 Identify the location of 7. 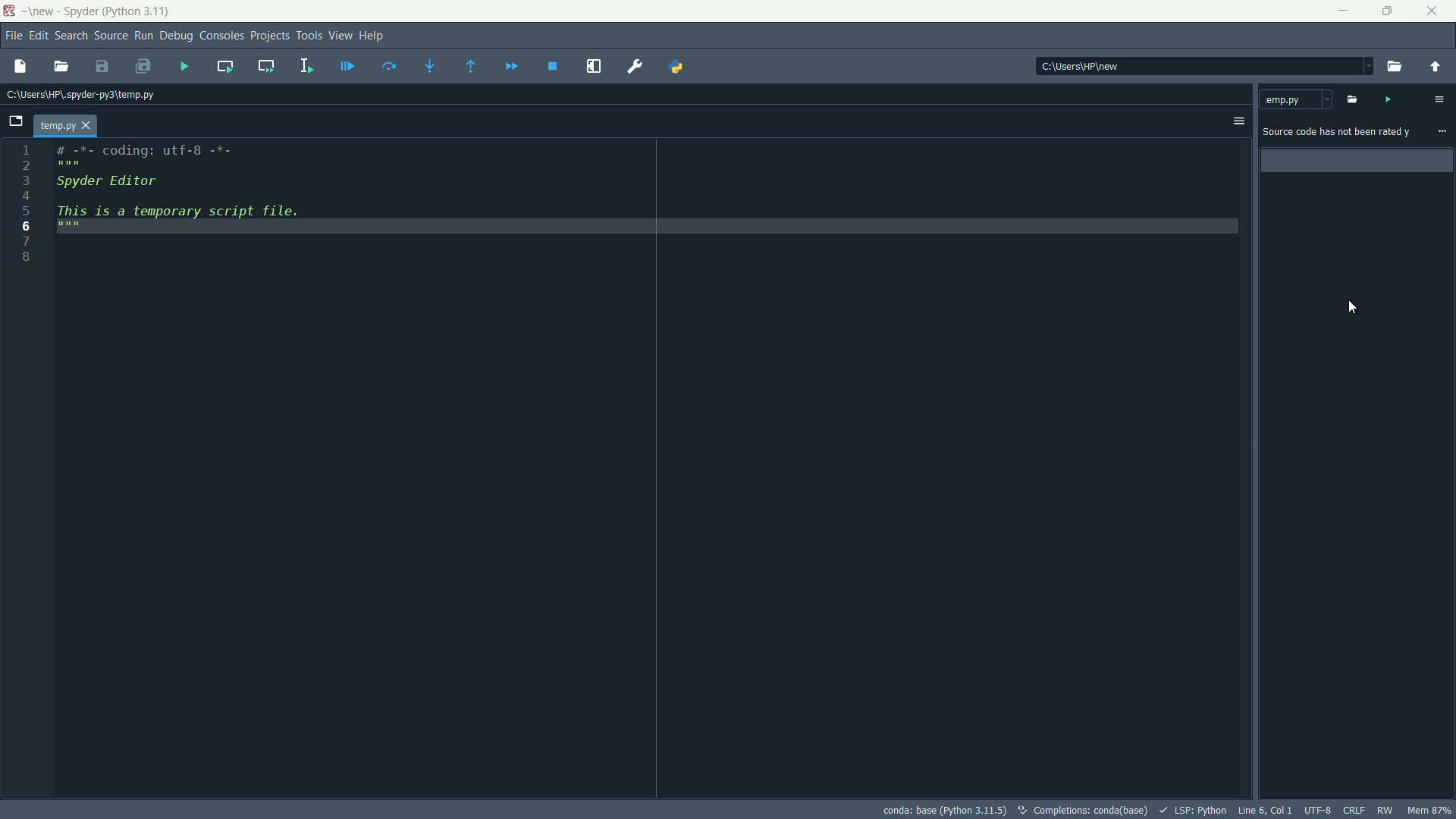
(27, 240).